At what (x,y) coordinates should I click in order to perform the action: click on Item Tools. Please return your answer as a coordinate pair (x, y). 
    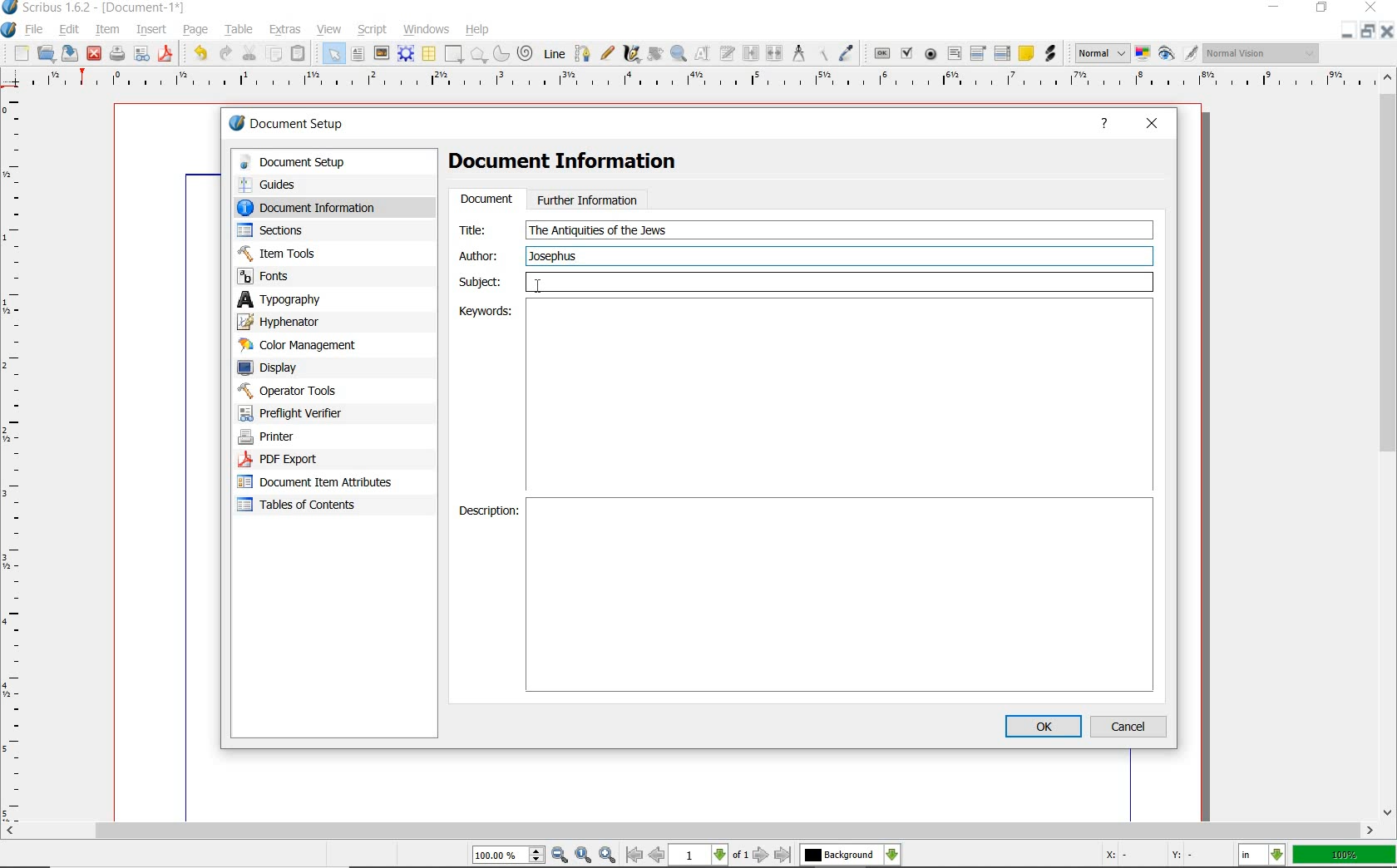
    Looking at the image, I should click on (315, 253).